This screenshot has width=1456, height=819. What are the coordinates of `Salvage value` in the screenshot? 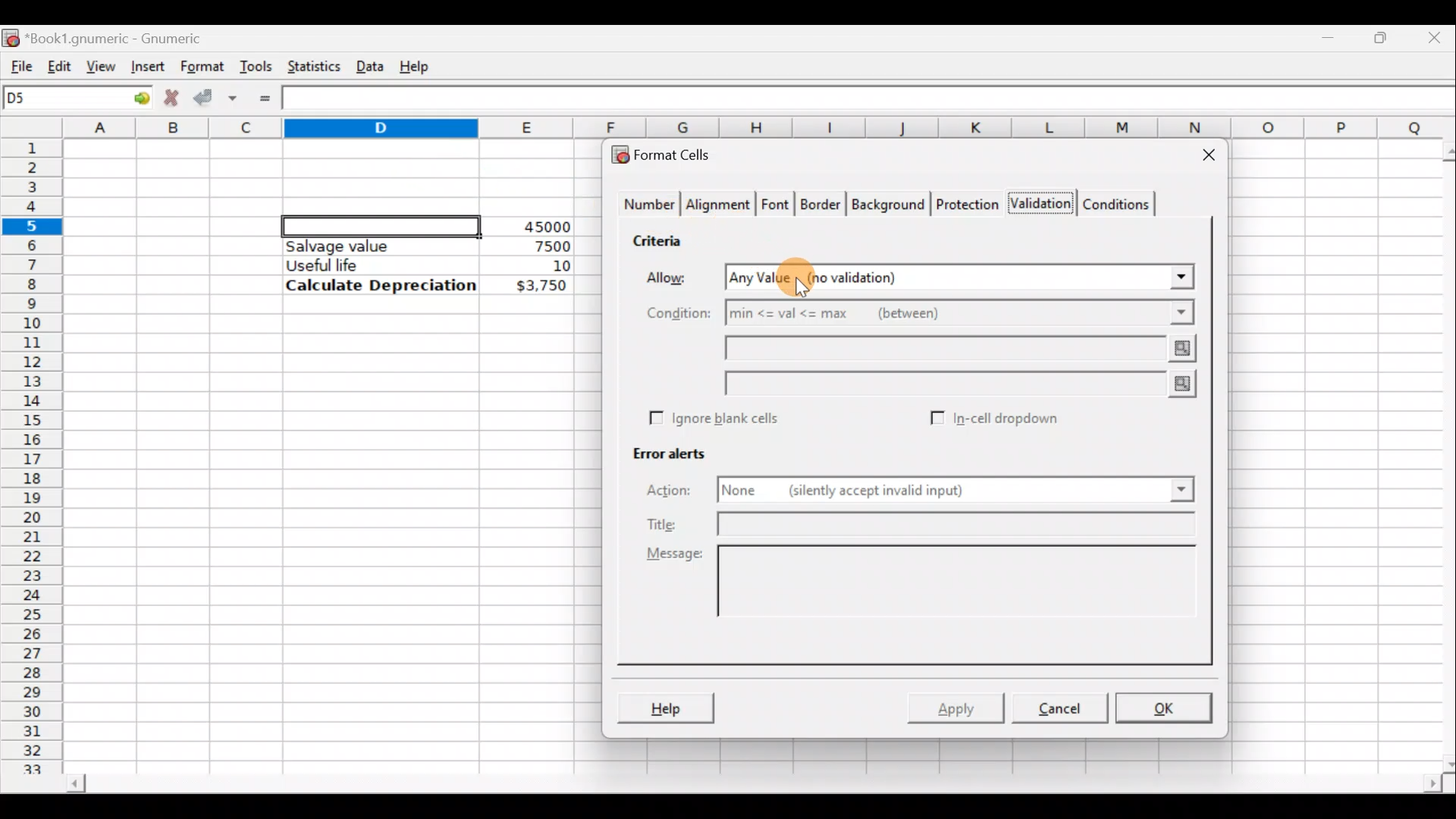 It's located at (367, 246).